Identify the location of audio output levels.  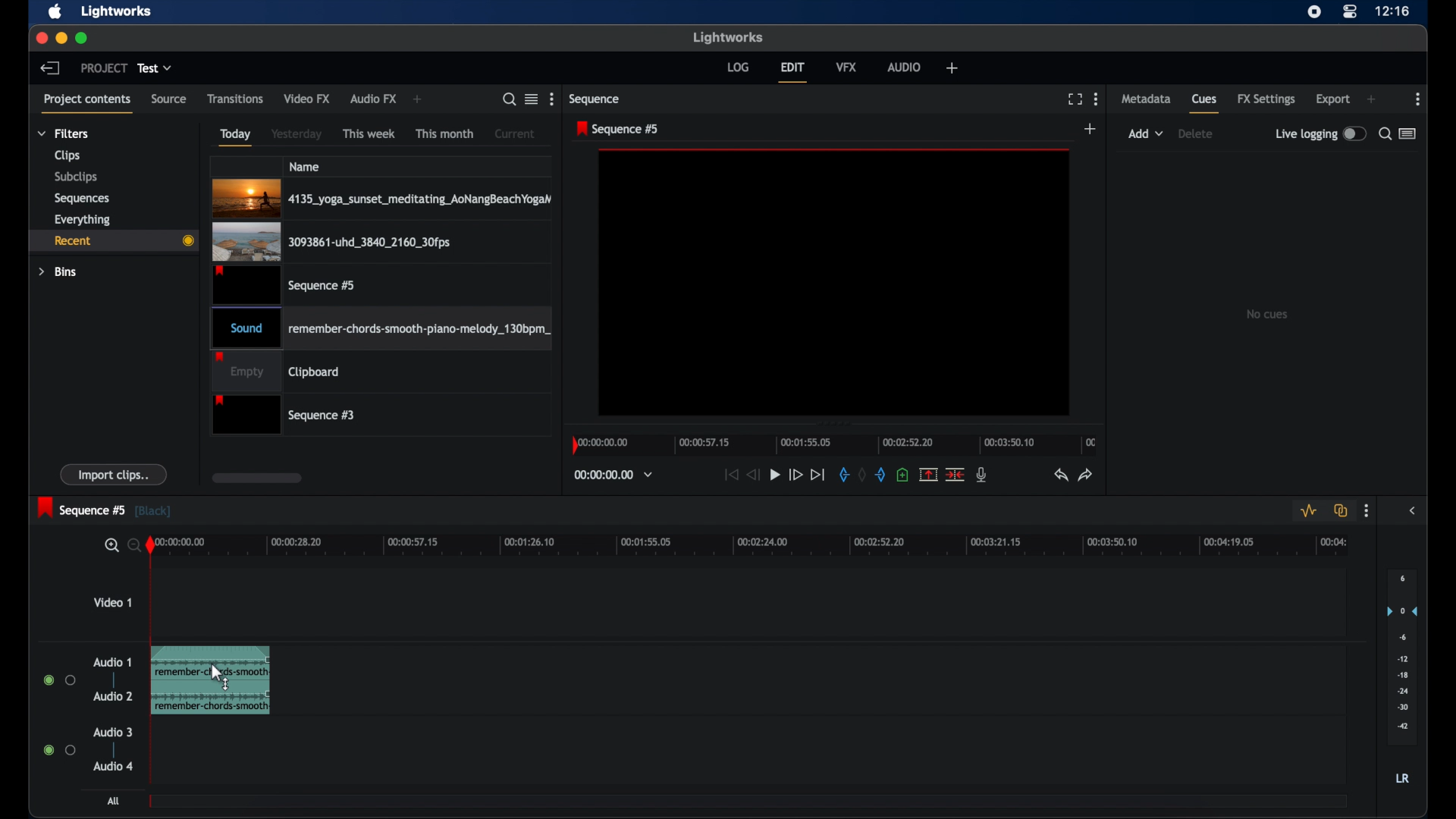
(1401, 655).